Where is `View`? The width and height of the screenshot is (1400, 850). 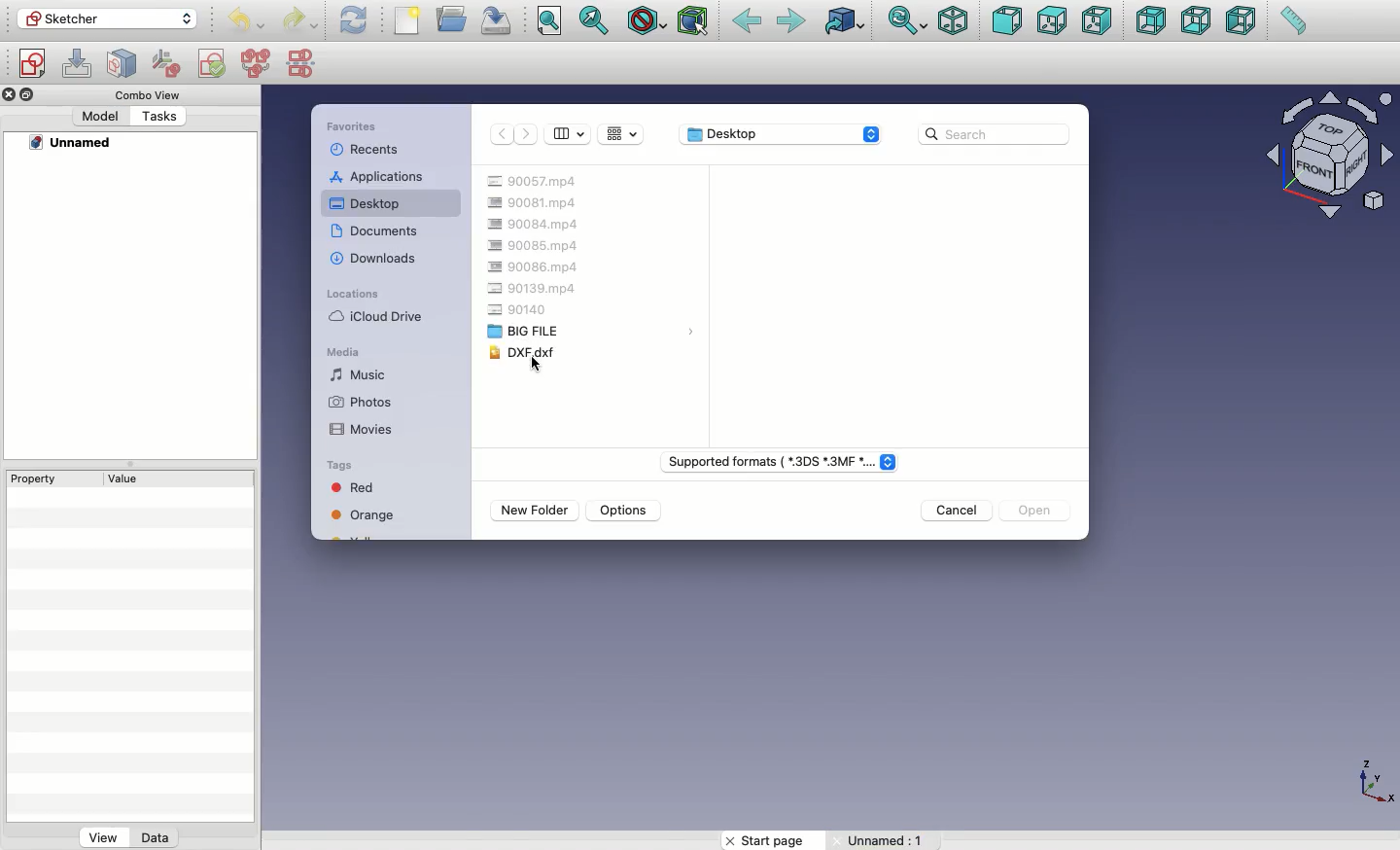
View is located at coordinates (100, 838).